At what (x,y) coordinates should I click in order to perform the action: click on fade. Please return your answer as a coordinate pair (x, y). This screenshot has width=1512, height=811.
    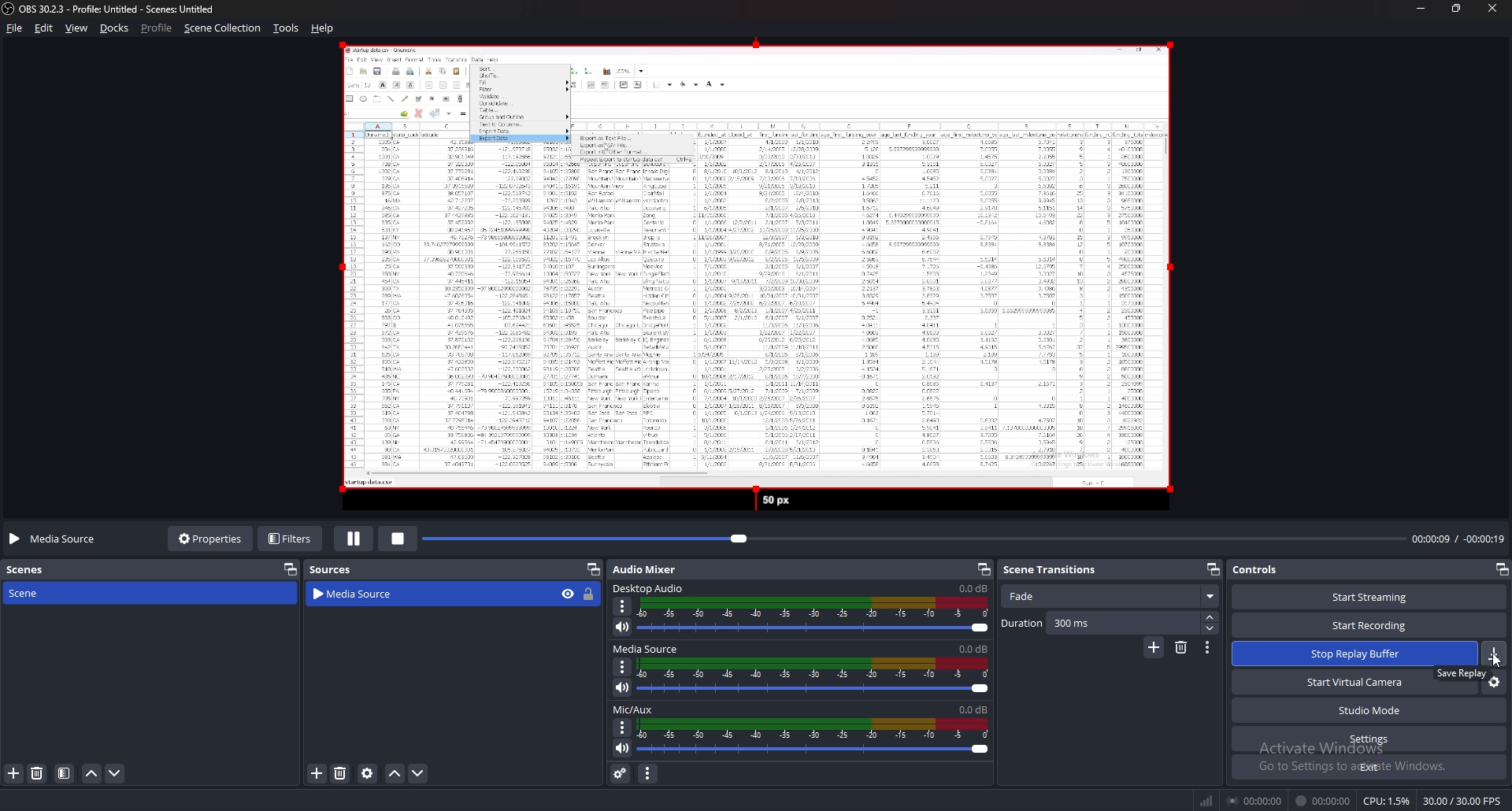
    Looking at the image, I should click on (1110, 597).